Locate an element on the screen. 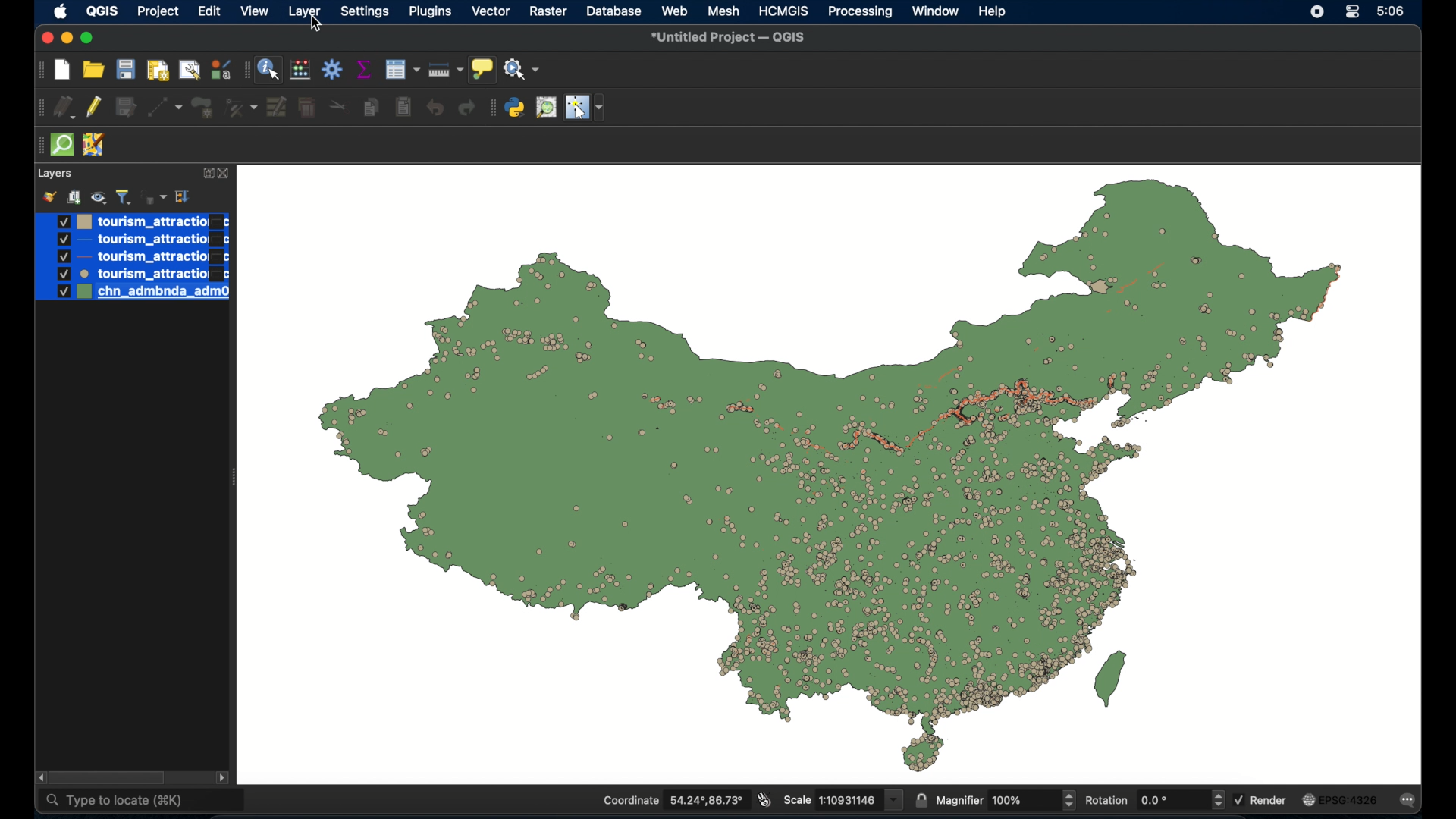 The height and width of the screenshot is (819, 1456). scroll box is located at coordinates (109, 777).